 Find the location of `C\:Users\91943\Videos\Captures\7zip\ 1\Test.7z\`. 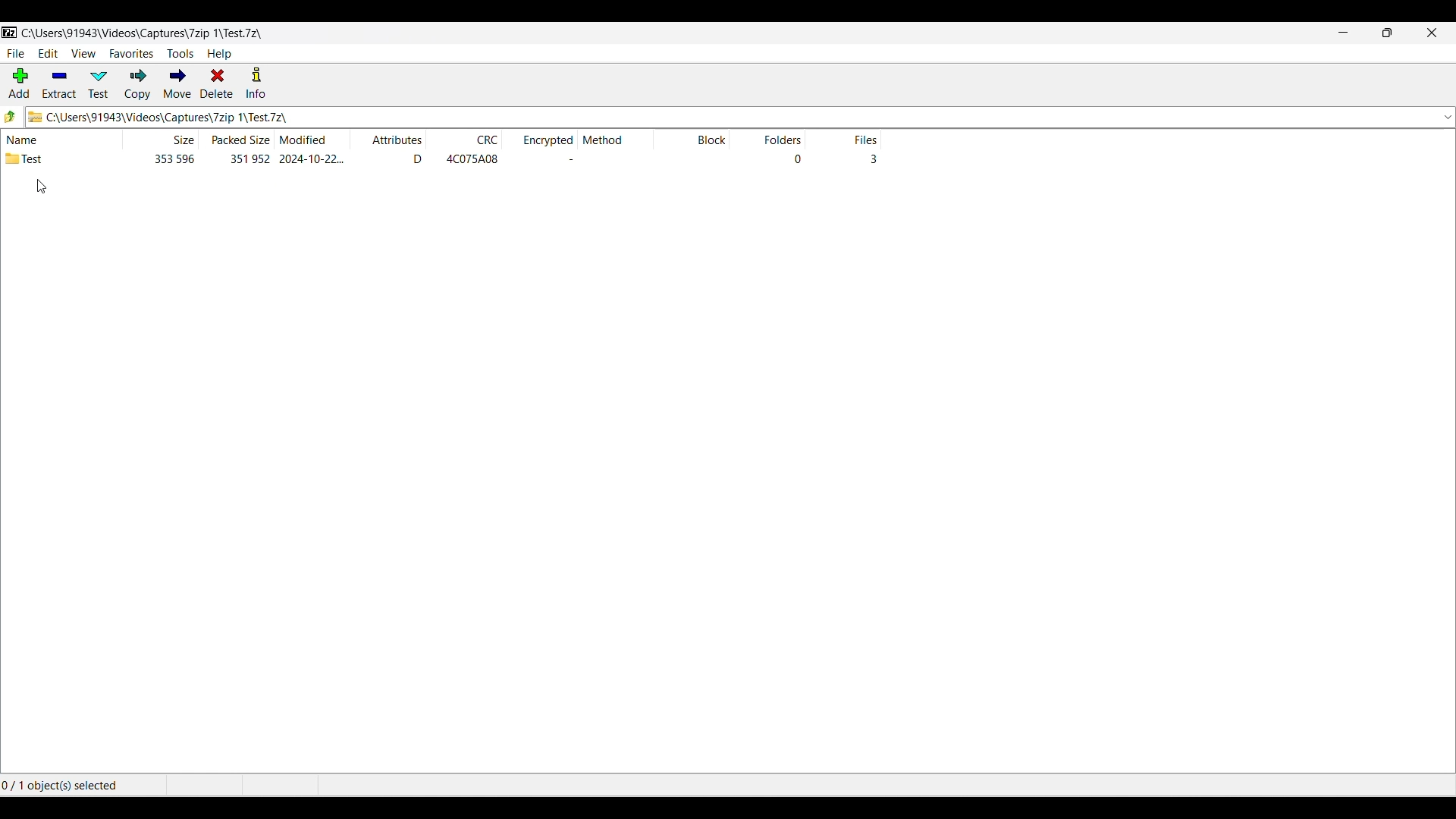

C\:Users\91943\Videos\Captures\7zip\ 1\Test.7z\ is located at coordinates (167, 117).